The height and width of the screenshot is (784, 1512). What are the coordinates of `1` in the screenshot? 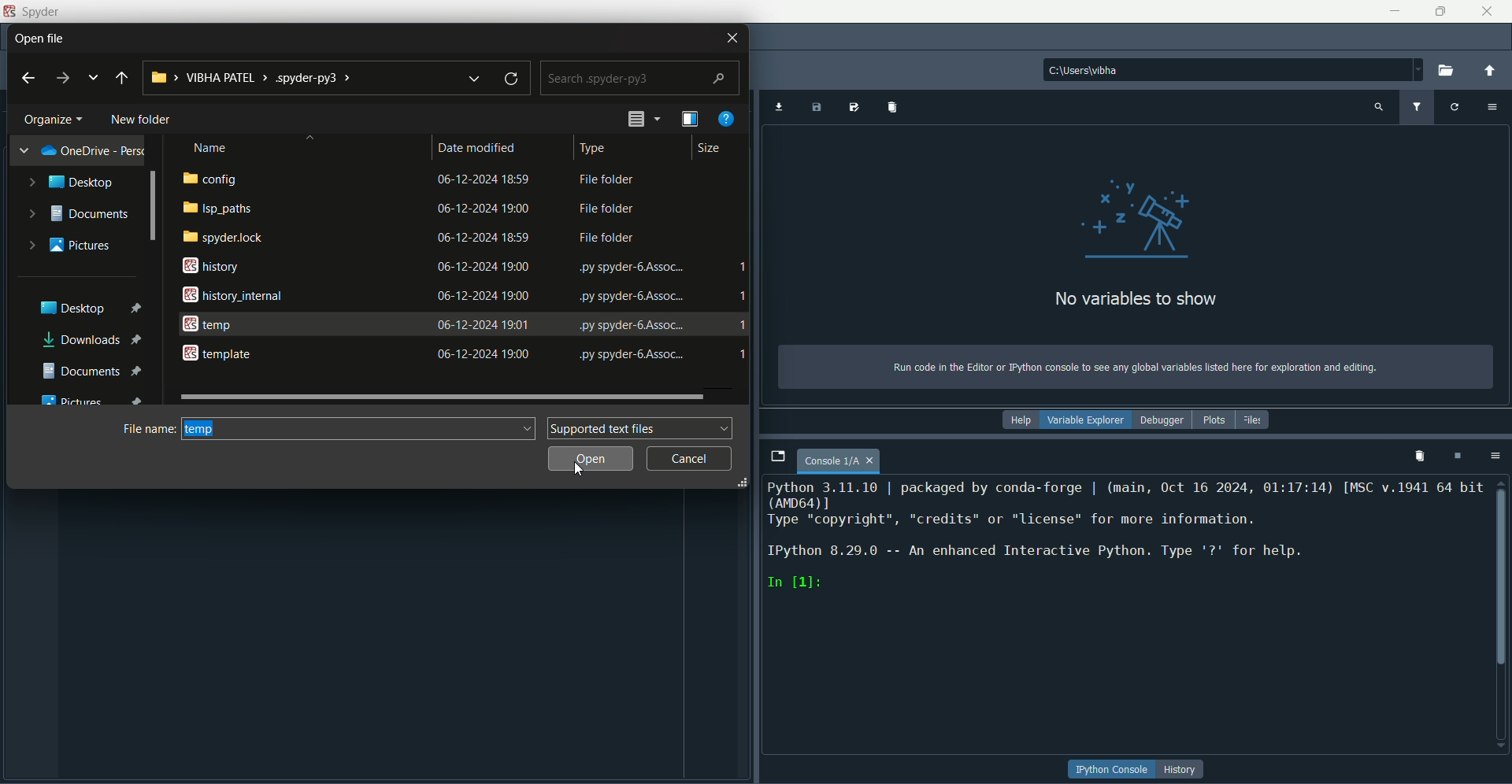 It's located at (743, 324).